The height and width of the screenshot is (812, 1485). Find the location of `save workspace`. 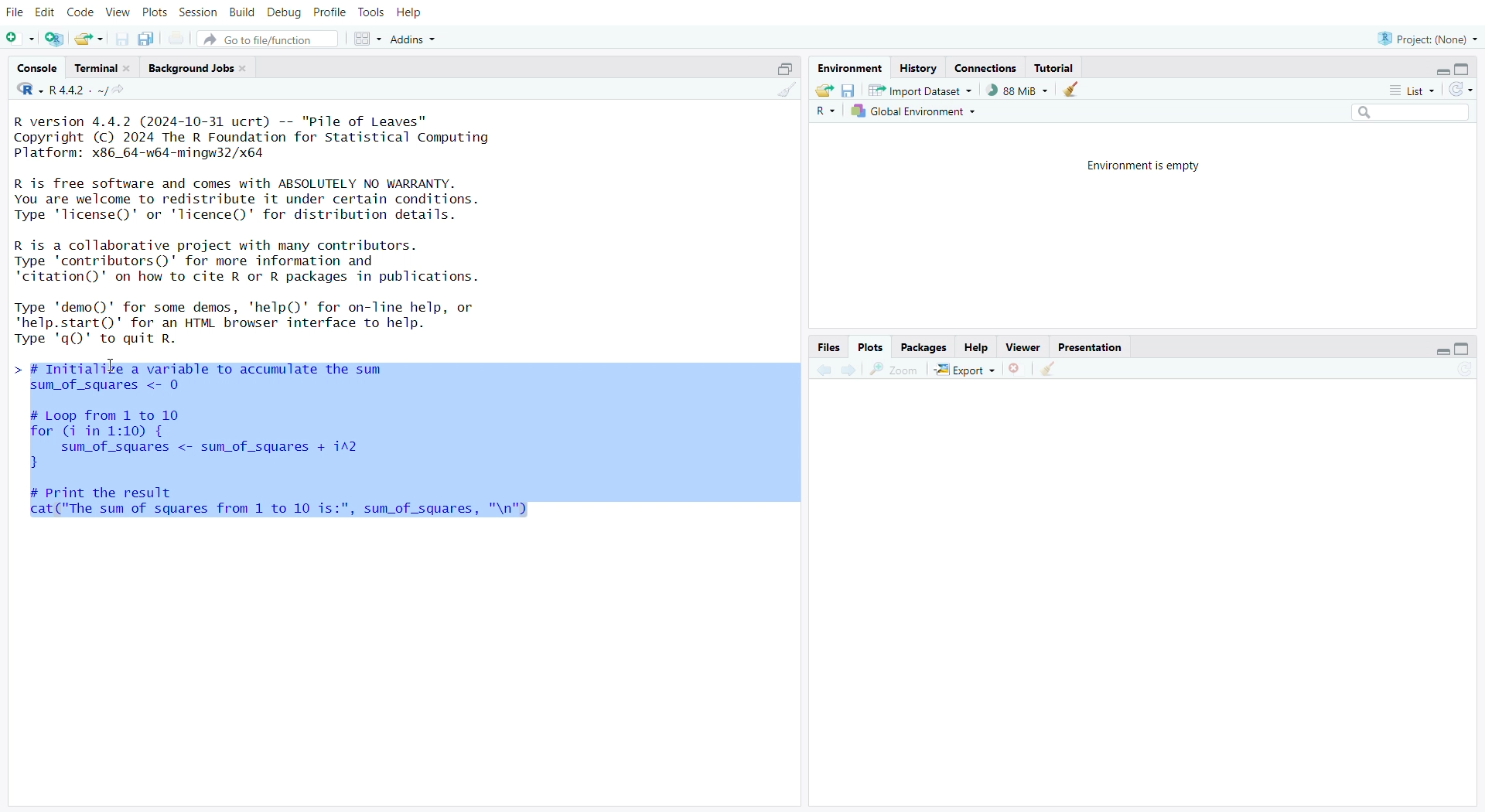

save workspace is located at coordinates (850, 90).